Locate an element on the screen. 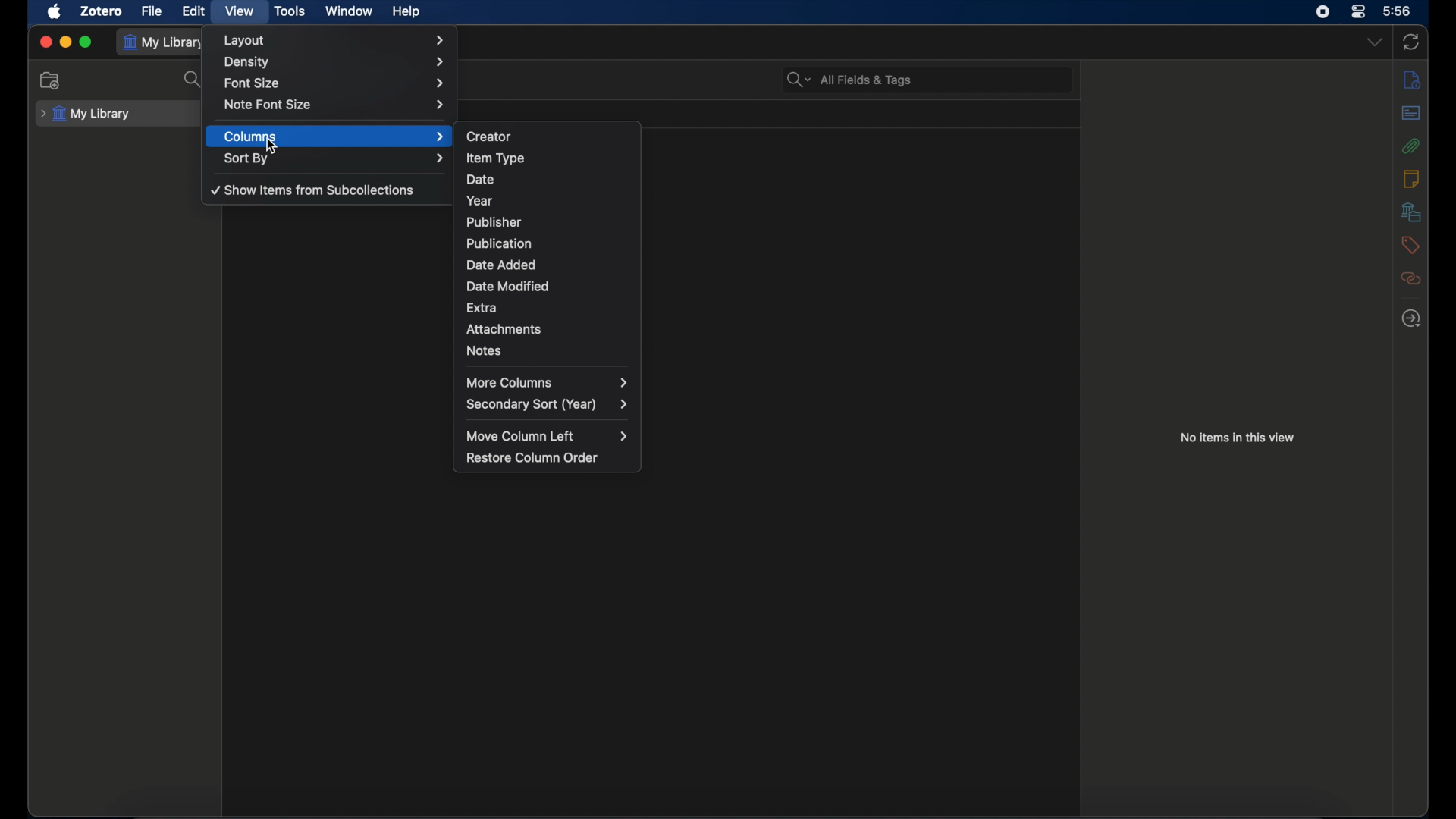 The width and height of the screenshot is (1456, 819). time is located at coordinates (1398, 11).